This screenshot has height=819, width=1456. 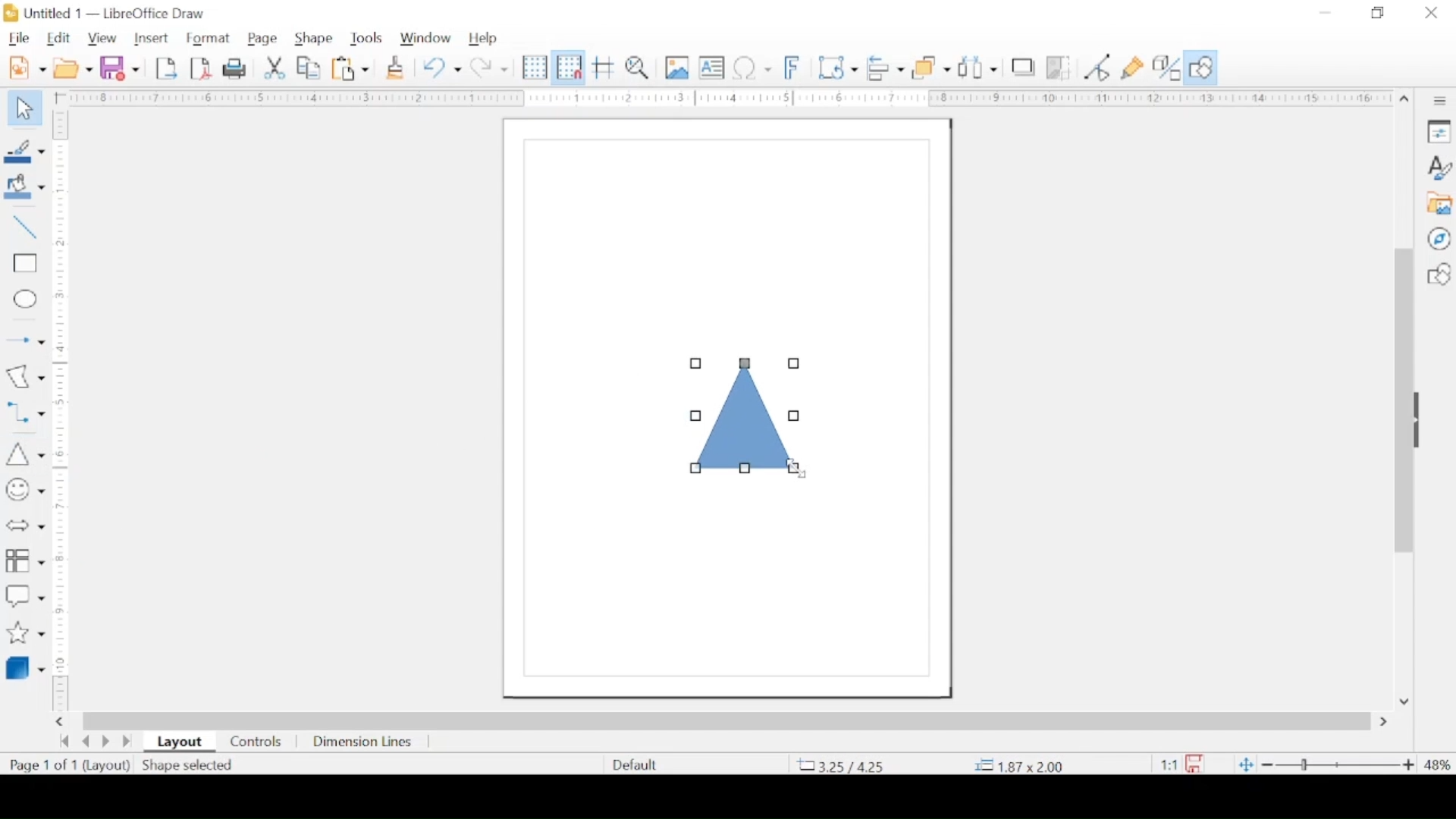 What do you see at coordinates (695, 363) in the screenshot?
I see `resize handle` at bounding box center [695, 363].